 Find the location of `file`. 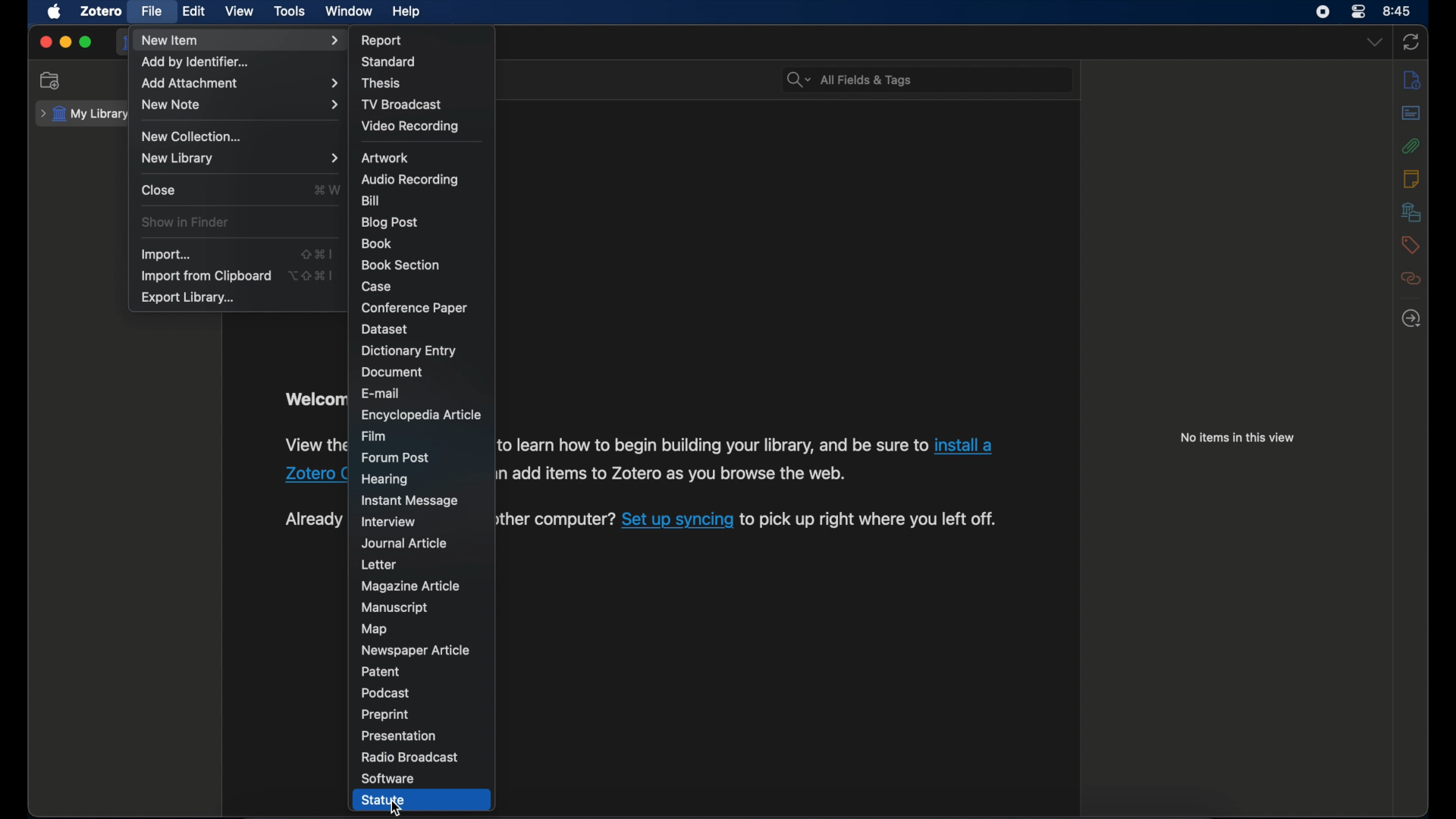

file is located at coordinates (151, 11).